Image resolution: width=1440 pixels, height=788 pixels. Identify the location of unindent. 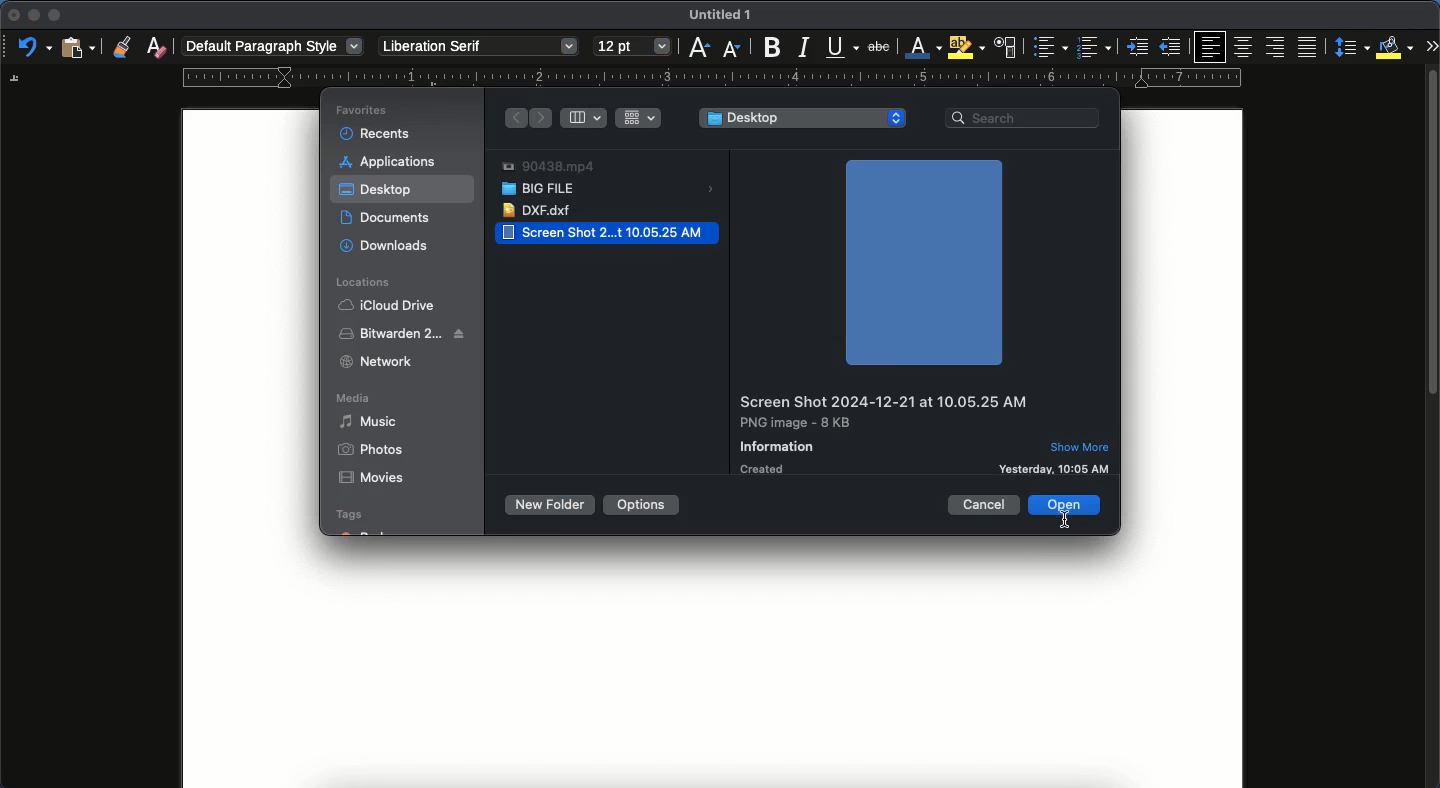
(1172, 47).